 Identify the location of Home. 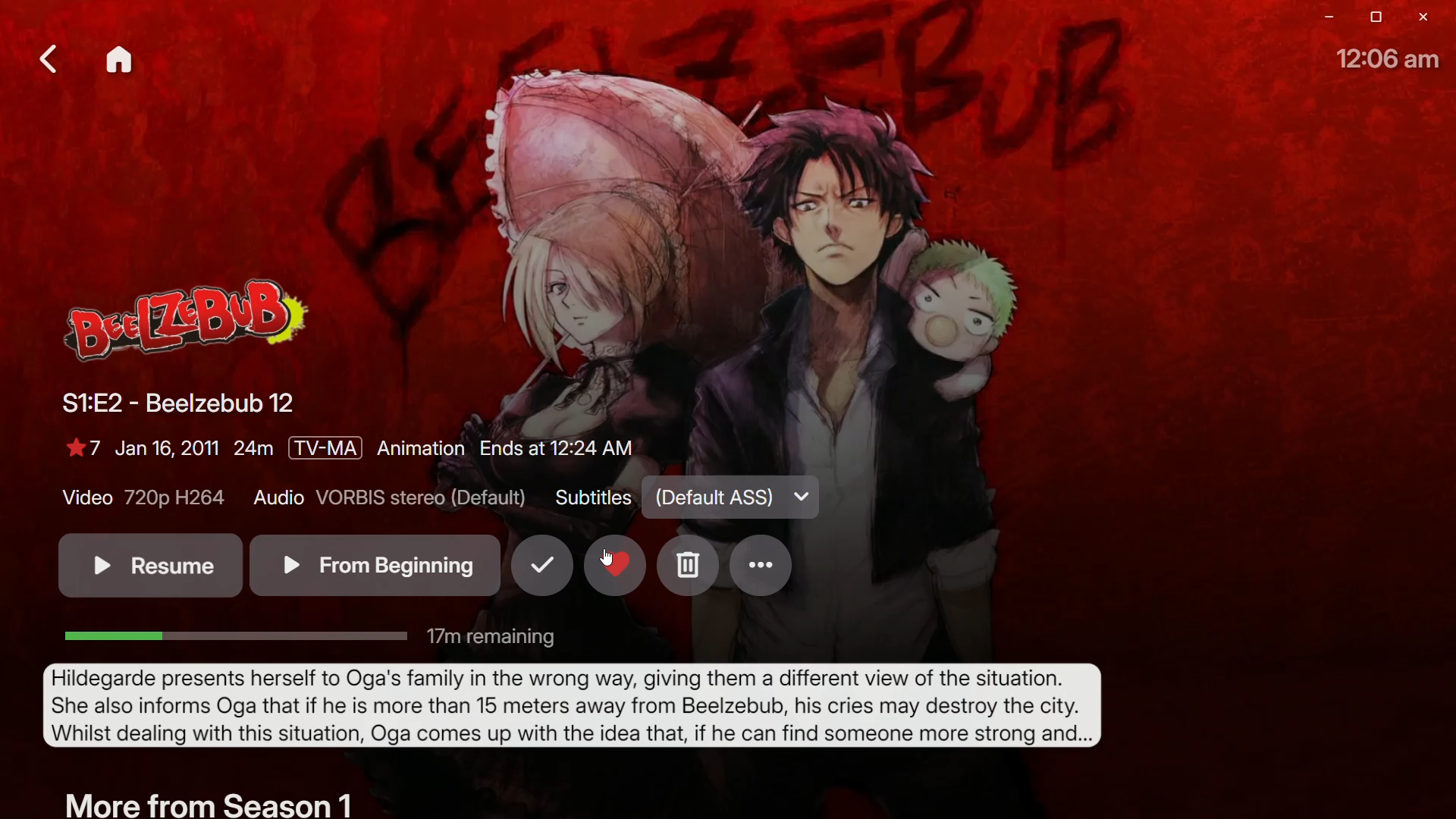
(123, 62).